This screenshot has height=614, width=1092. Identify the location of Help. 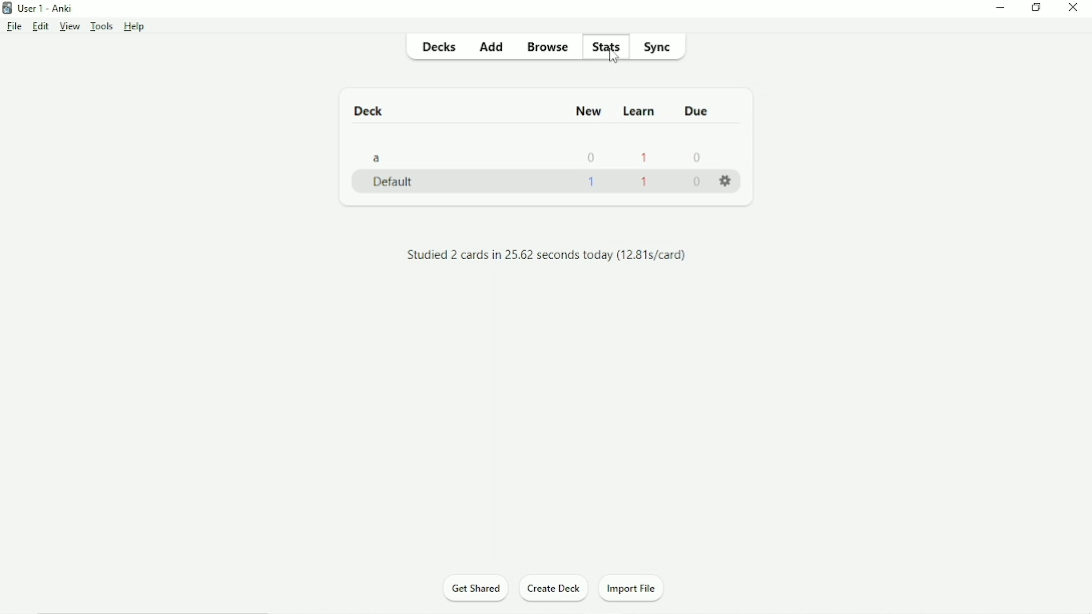
(131, 27).